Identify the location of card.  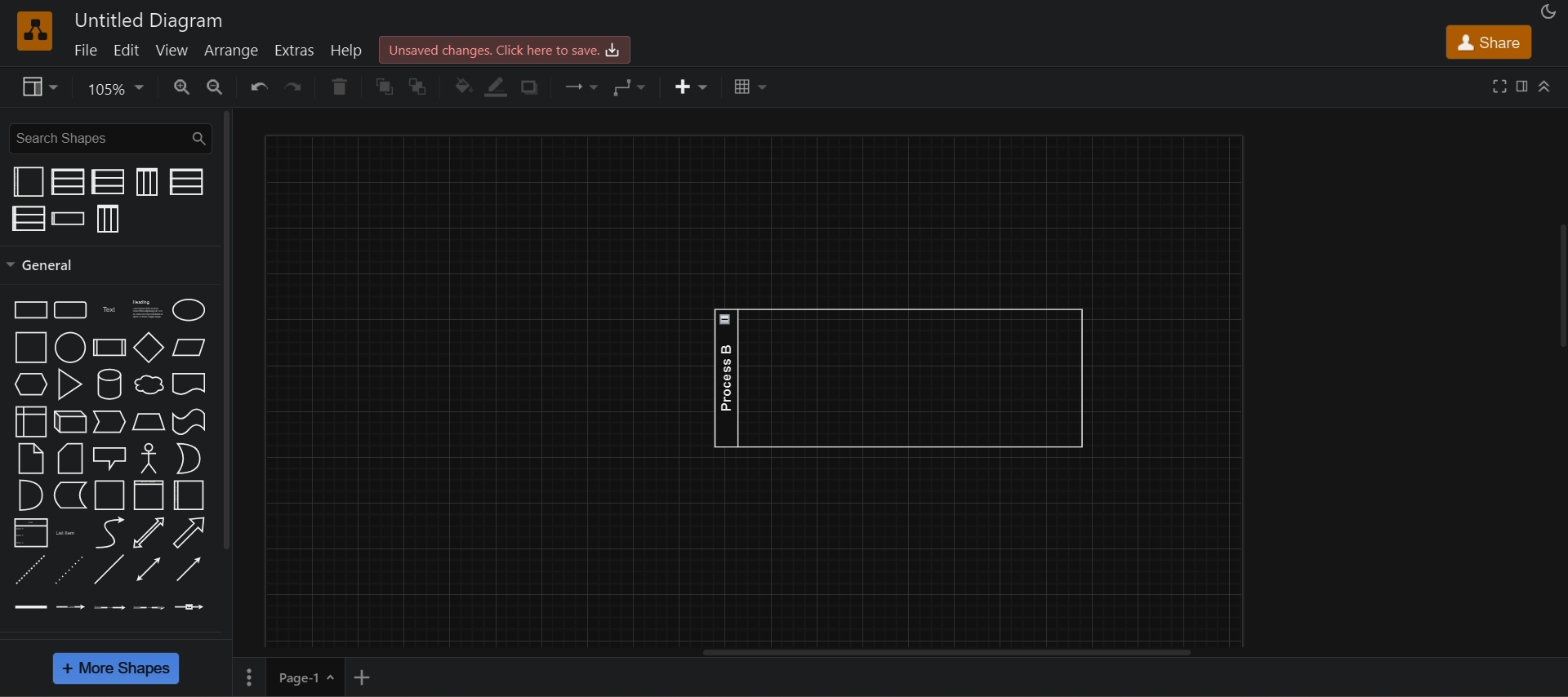
(70, 458).